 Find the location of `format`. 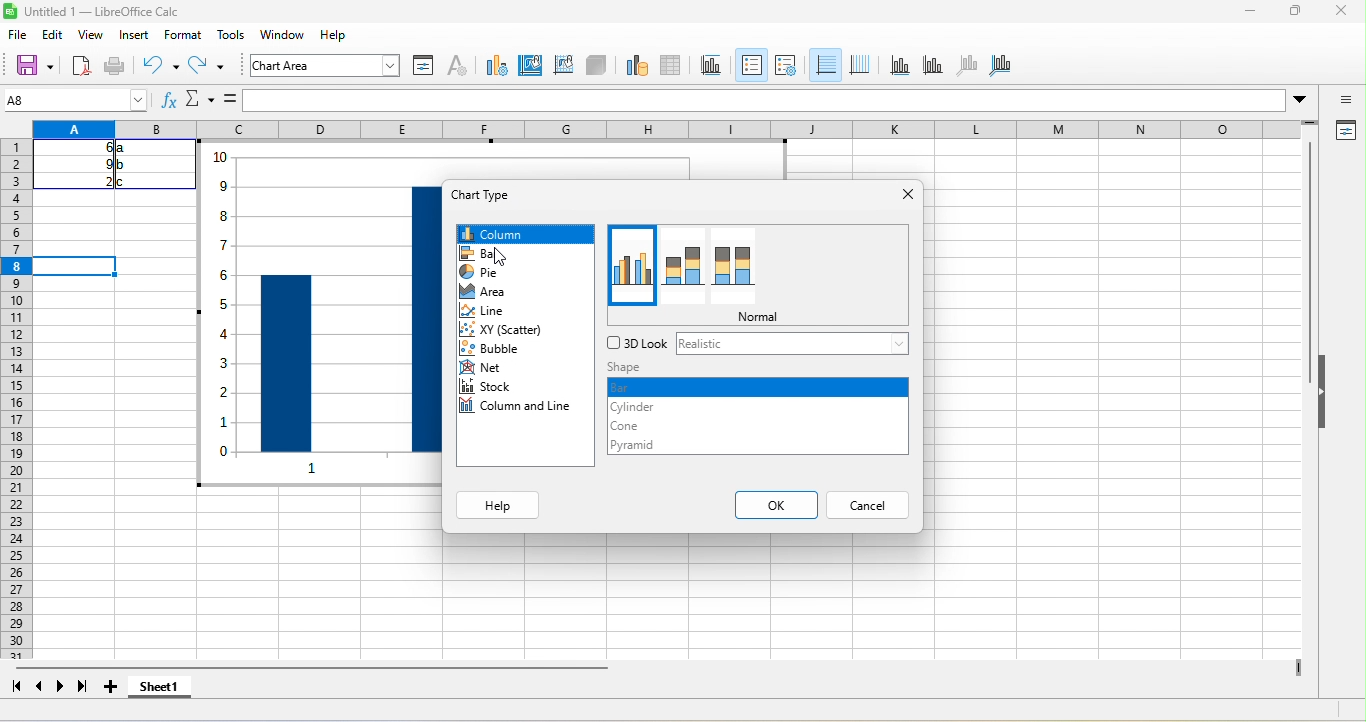

format is located at coordinates (182, 36).